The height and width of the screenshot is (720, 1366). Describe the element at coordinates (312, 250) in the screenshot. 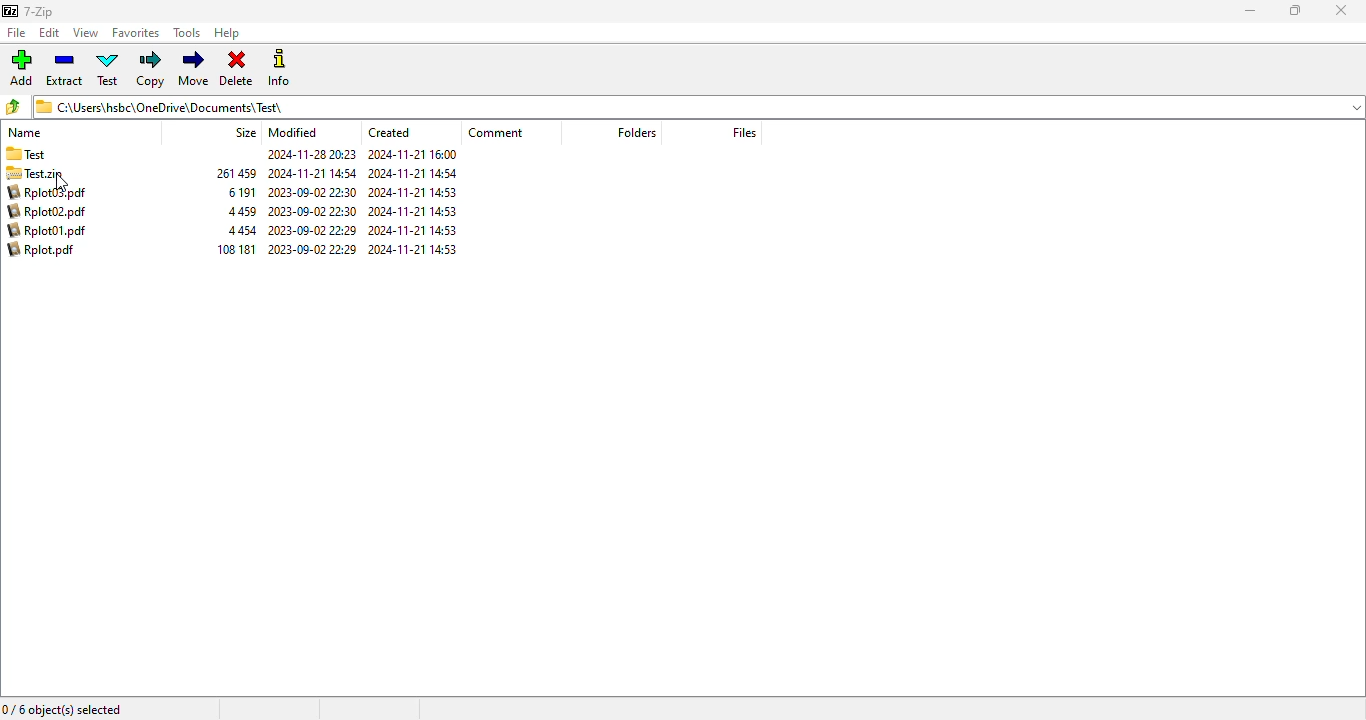

I see `2023-09-02 22:30` at that location.